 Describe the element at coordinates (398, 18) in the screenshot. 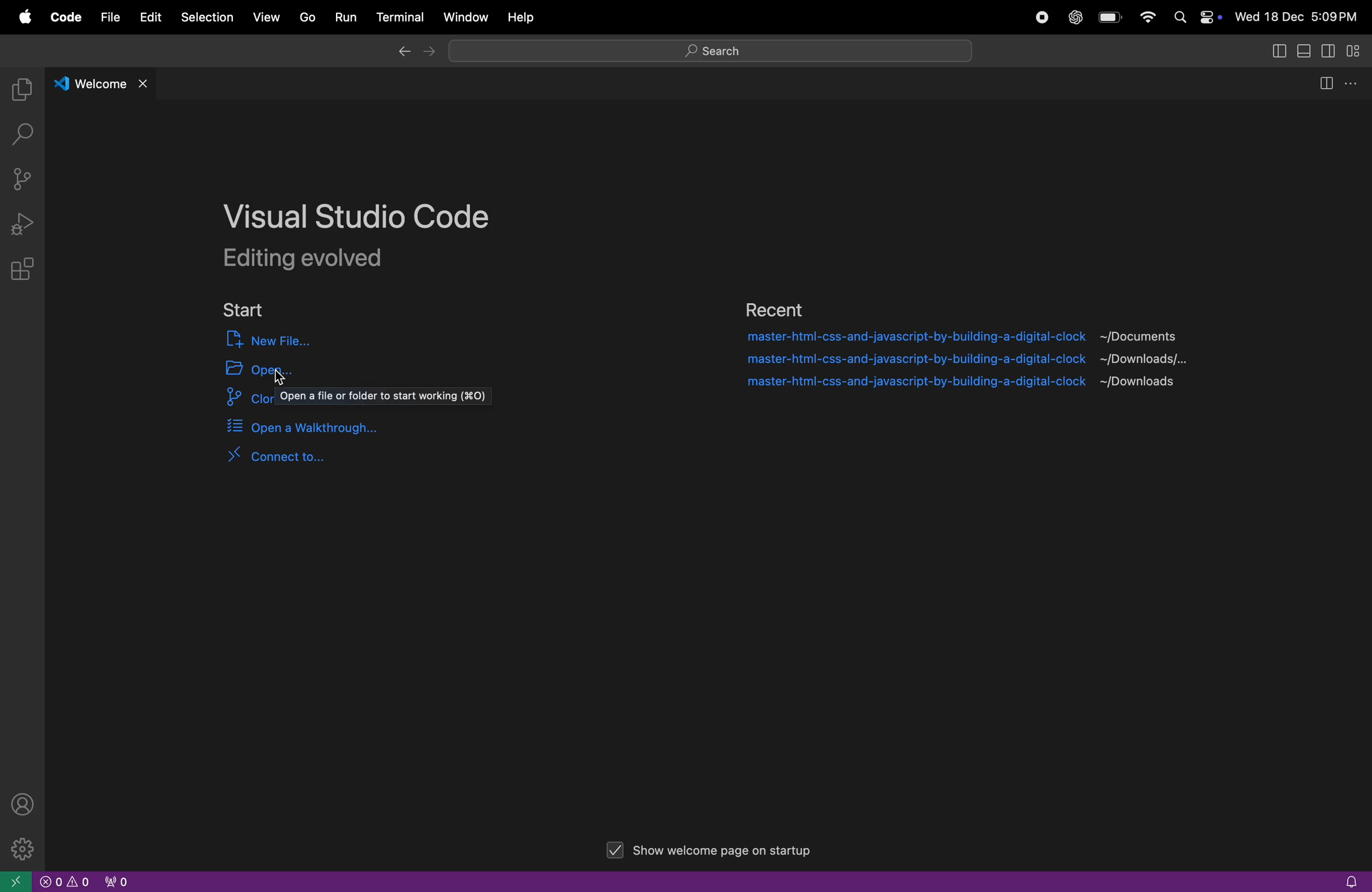

I see `terminal` at that location.